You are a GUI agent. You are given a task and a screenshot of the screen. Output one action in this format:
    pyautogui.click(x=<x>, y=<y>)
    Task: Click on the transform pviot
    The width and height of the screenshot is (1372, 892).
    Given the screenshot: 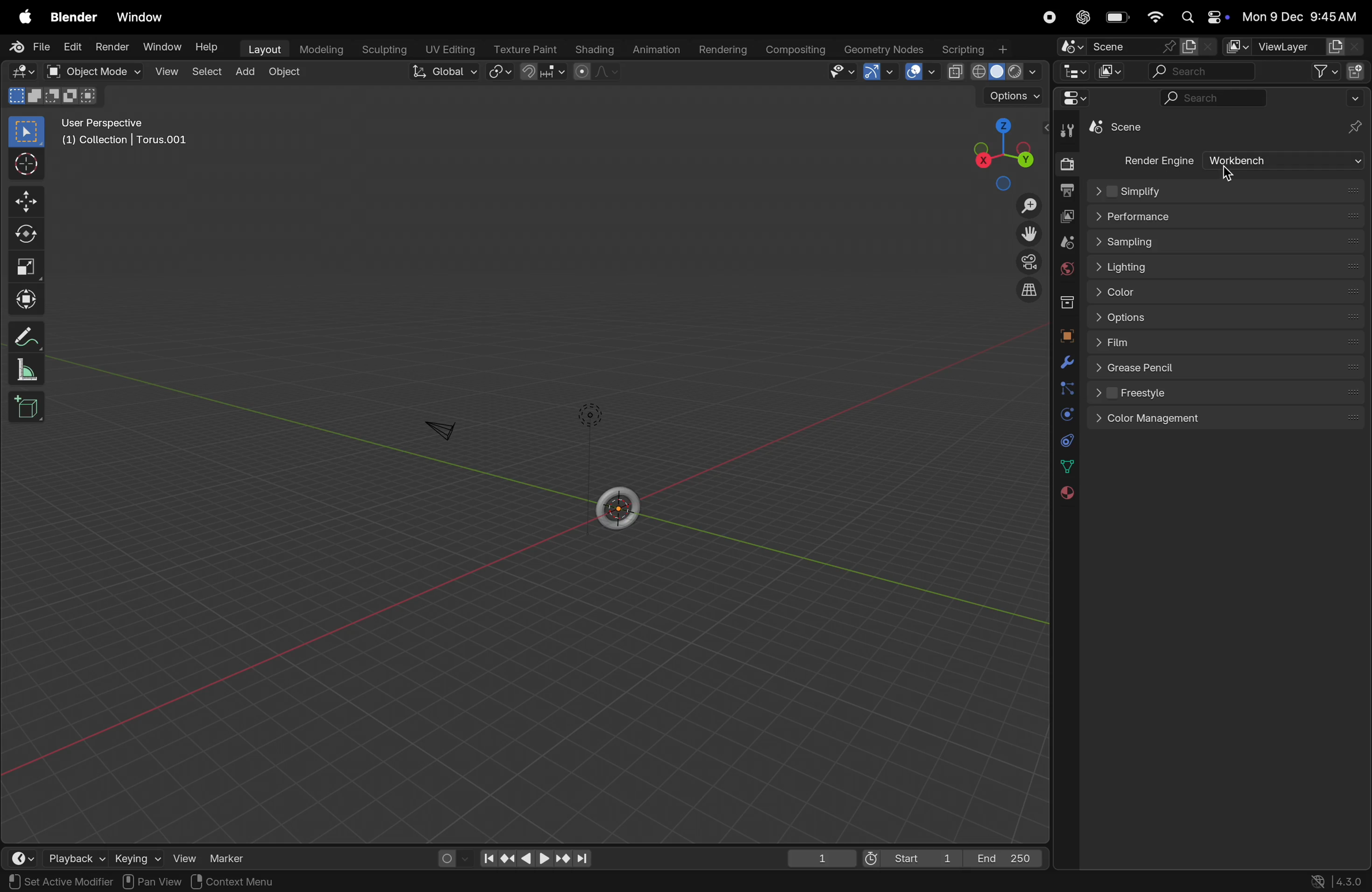 What is the action you would take?
    pyautogui.click(x=496, y=75)
    